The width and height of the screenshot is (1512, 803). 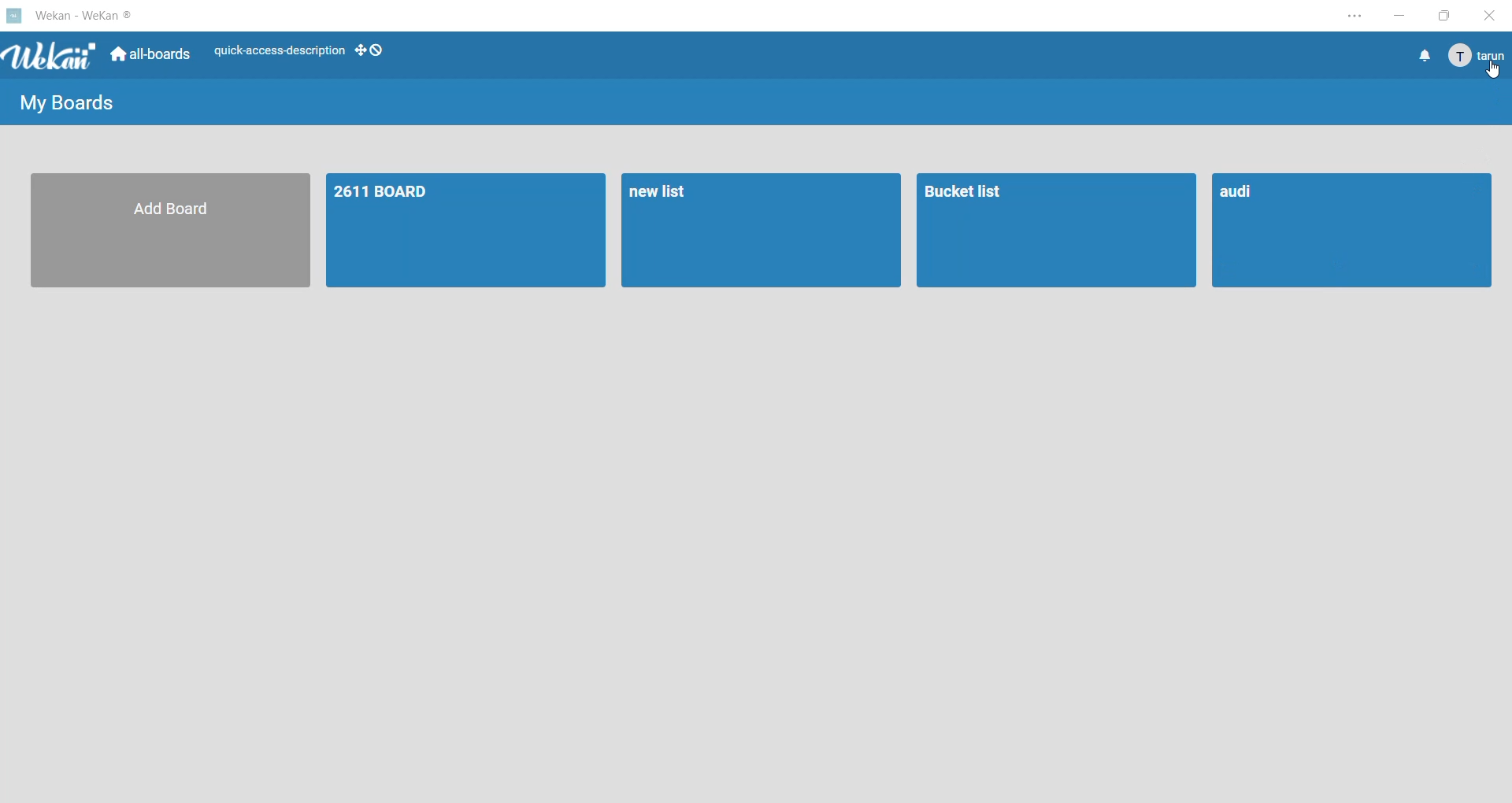 What do you see at coordinates (278, 53) in the screenshot?
I see `quick access description` at bounding box center [278, 53].